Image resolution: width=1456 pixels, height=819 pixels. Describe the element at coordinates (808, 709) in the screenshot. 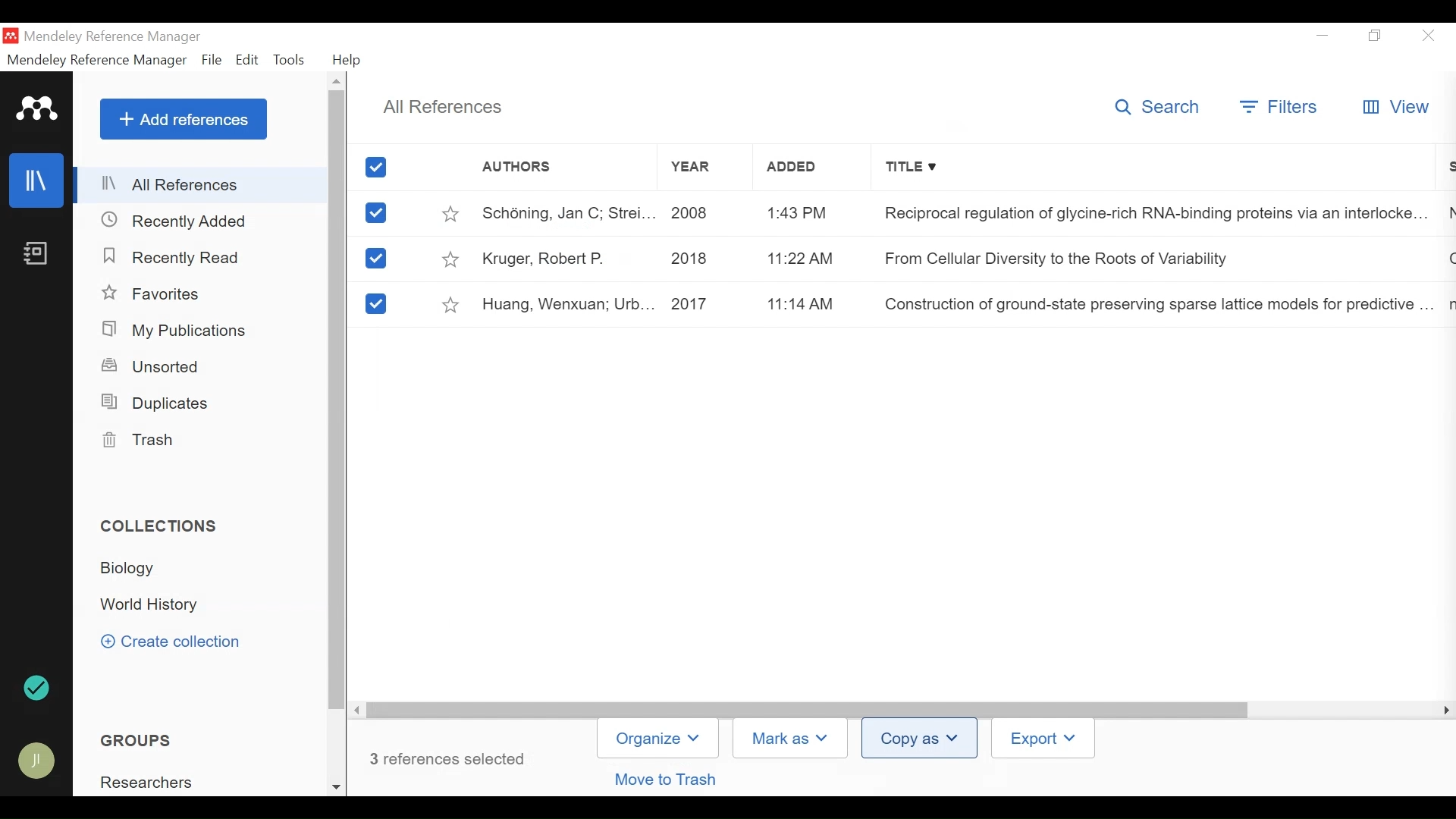

I see `Horizontal Scroll bar` at that location.